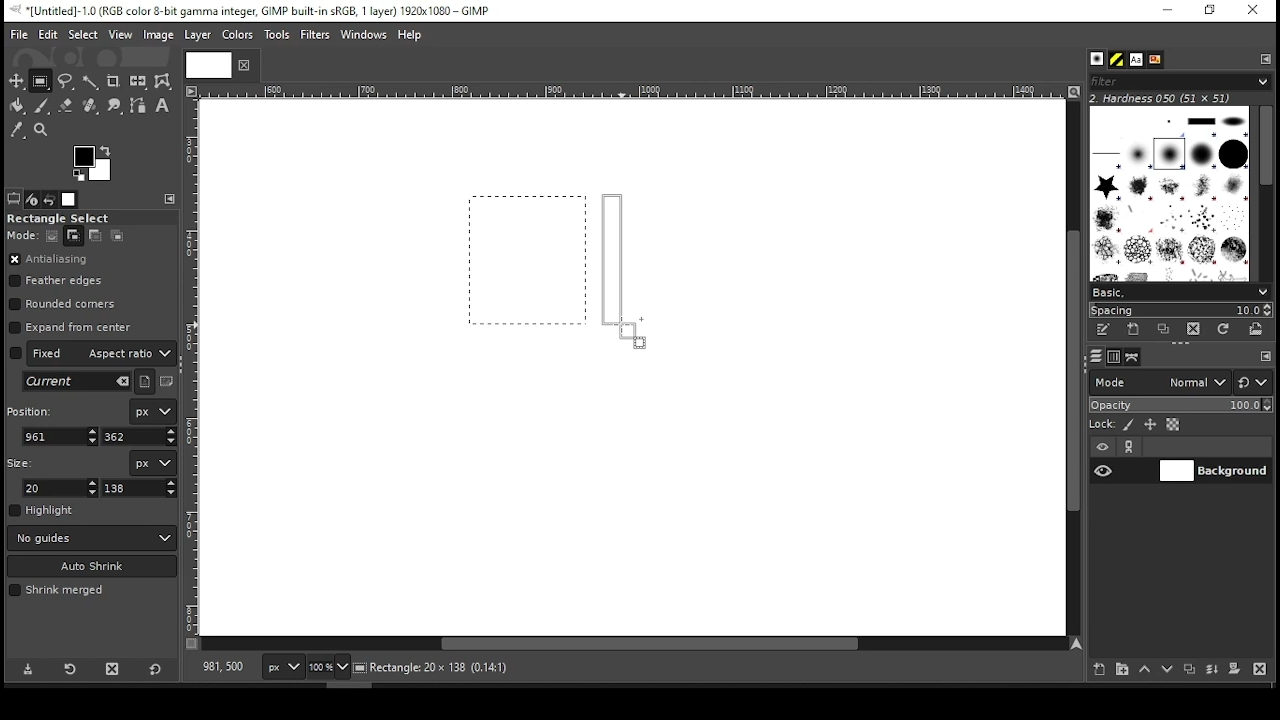 Image resolution: width=1280 pixels, height=720 pixels. I want to click on duplicate this brush, so click(1169, 329).